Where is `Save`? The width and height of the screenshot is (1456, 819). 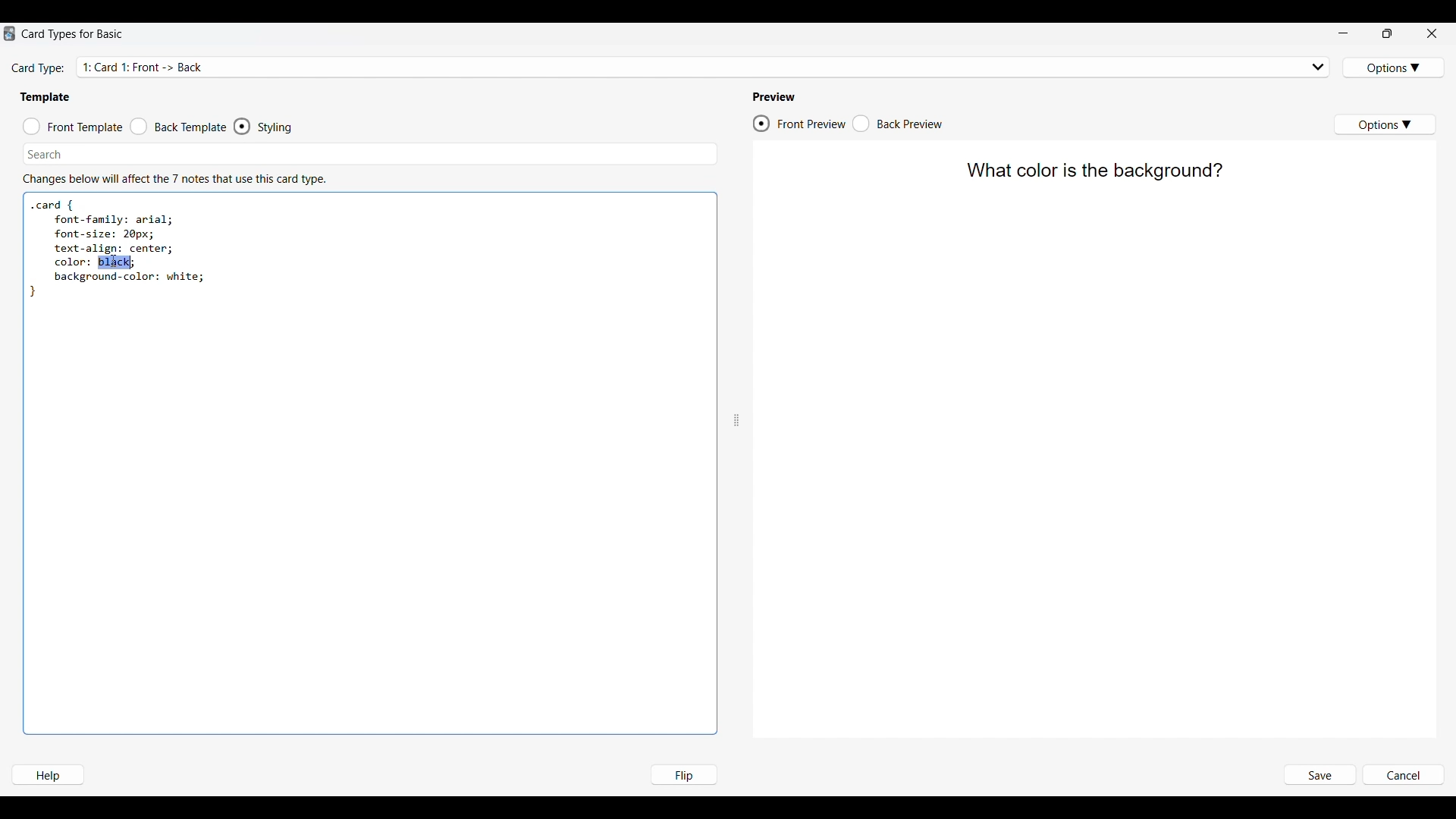 Save is located at coordinates (1319, 776).